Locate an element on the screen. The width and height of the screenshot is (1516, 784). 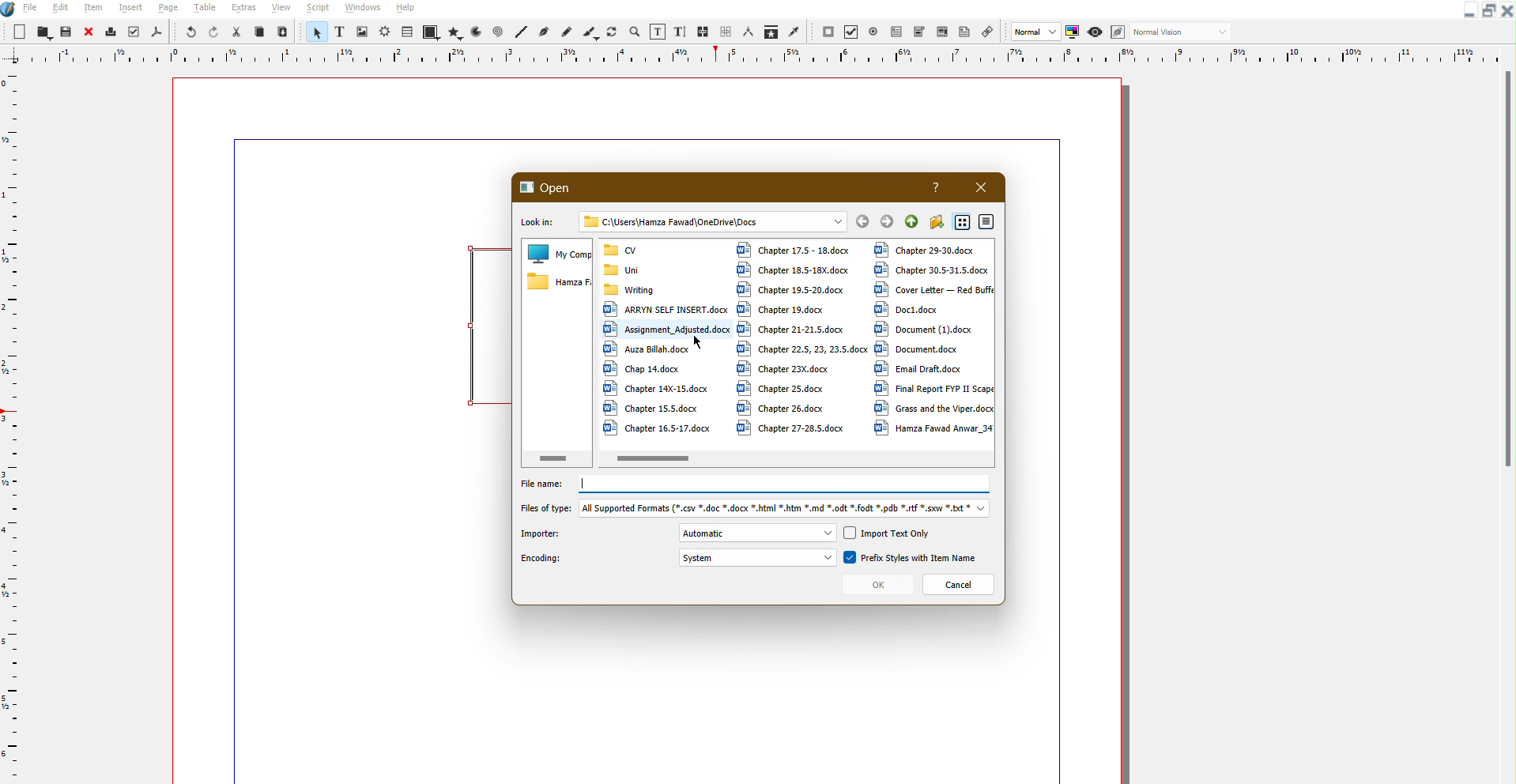
Text is located at coordinates (338, 32).